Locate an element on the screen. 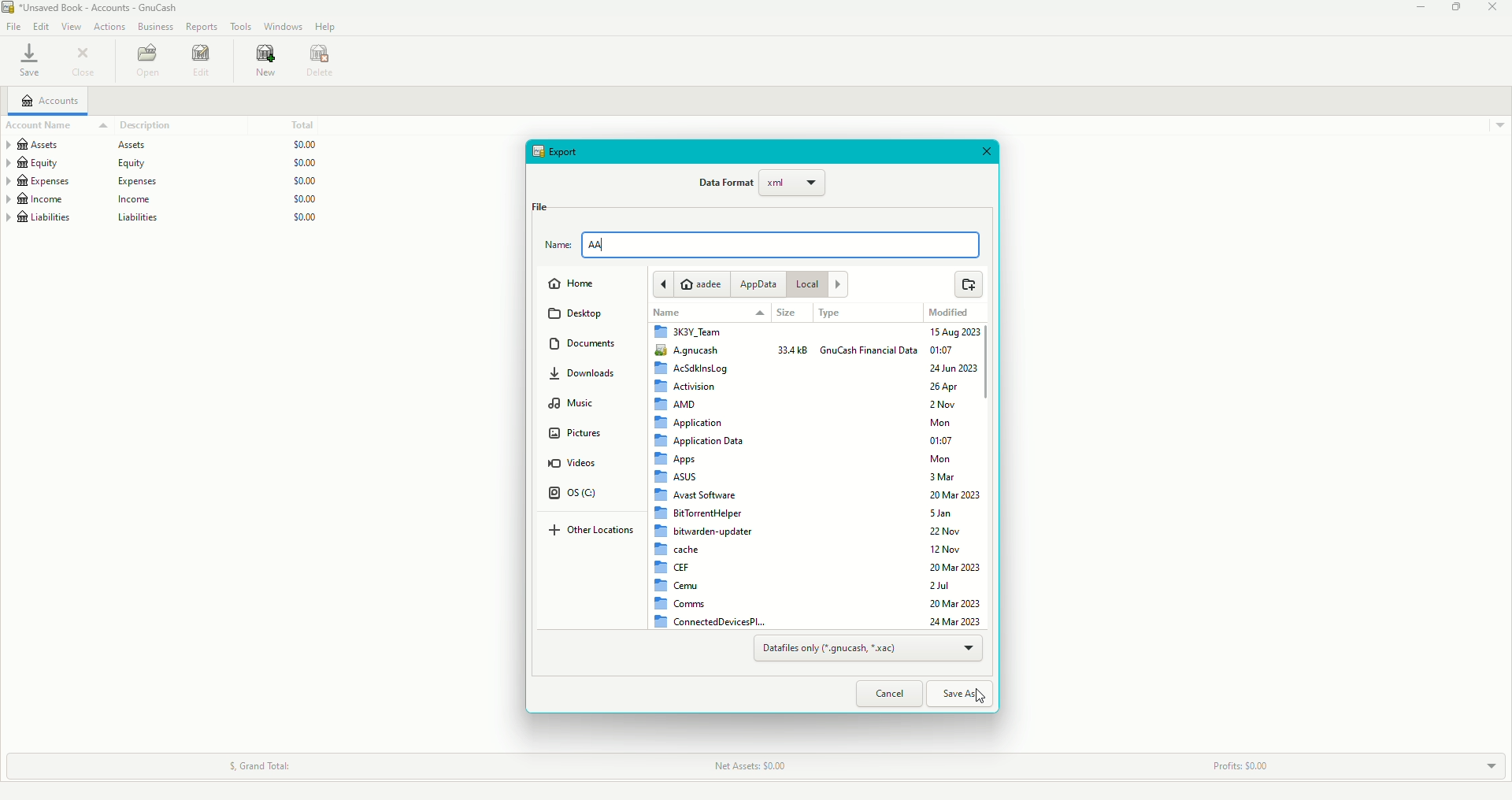  View is located at coordinates (70, 27).